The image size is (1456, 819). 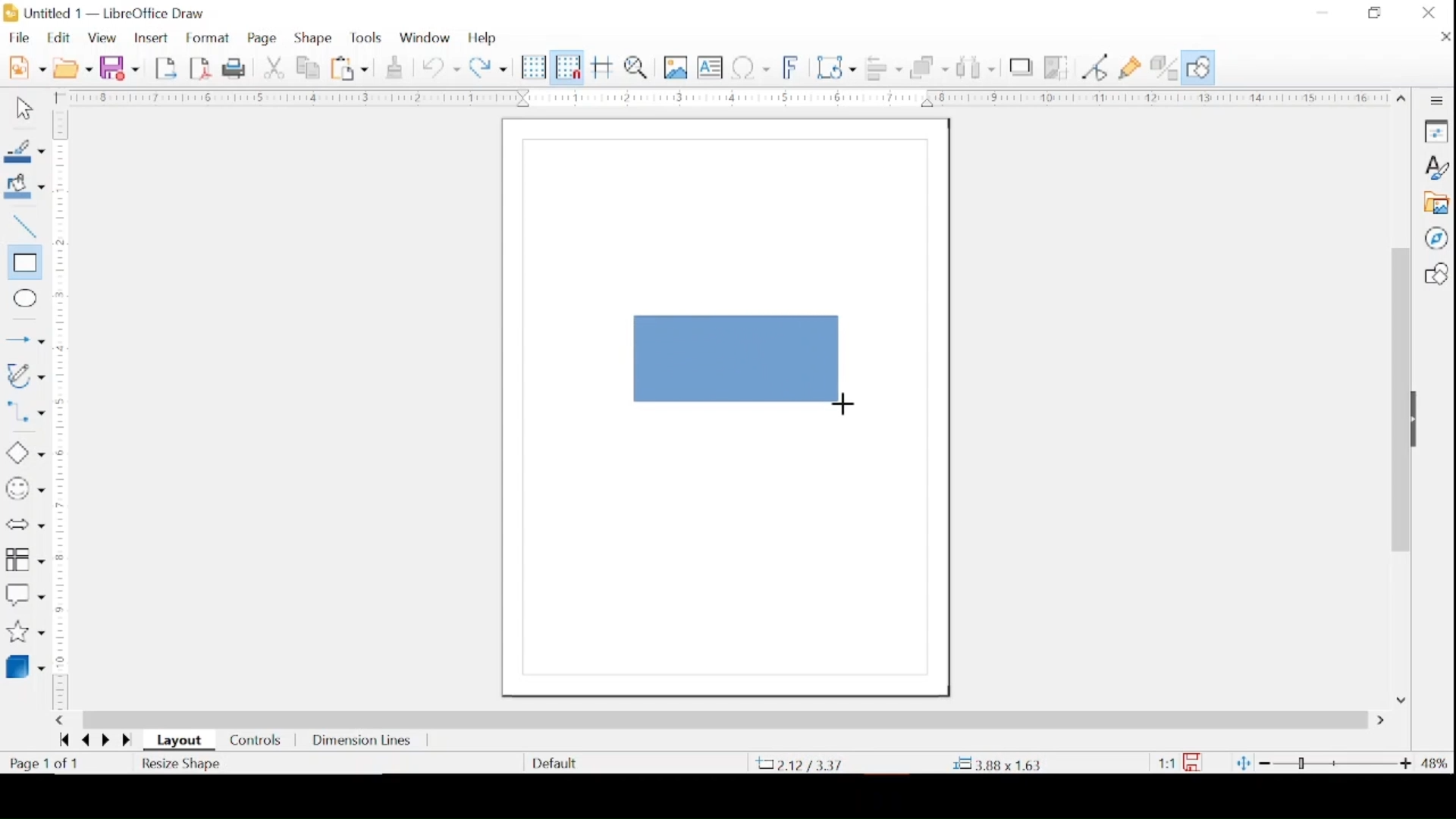 I want to click on tools, so click(x=366, y=38).